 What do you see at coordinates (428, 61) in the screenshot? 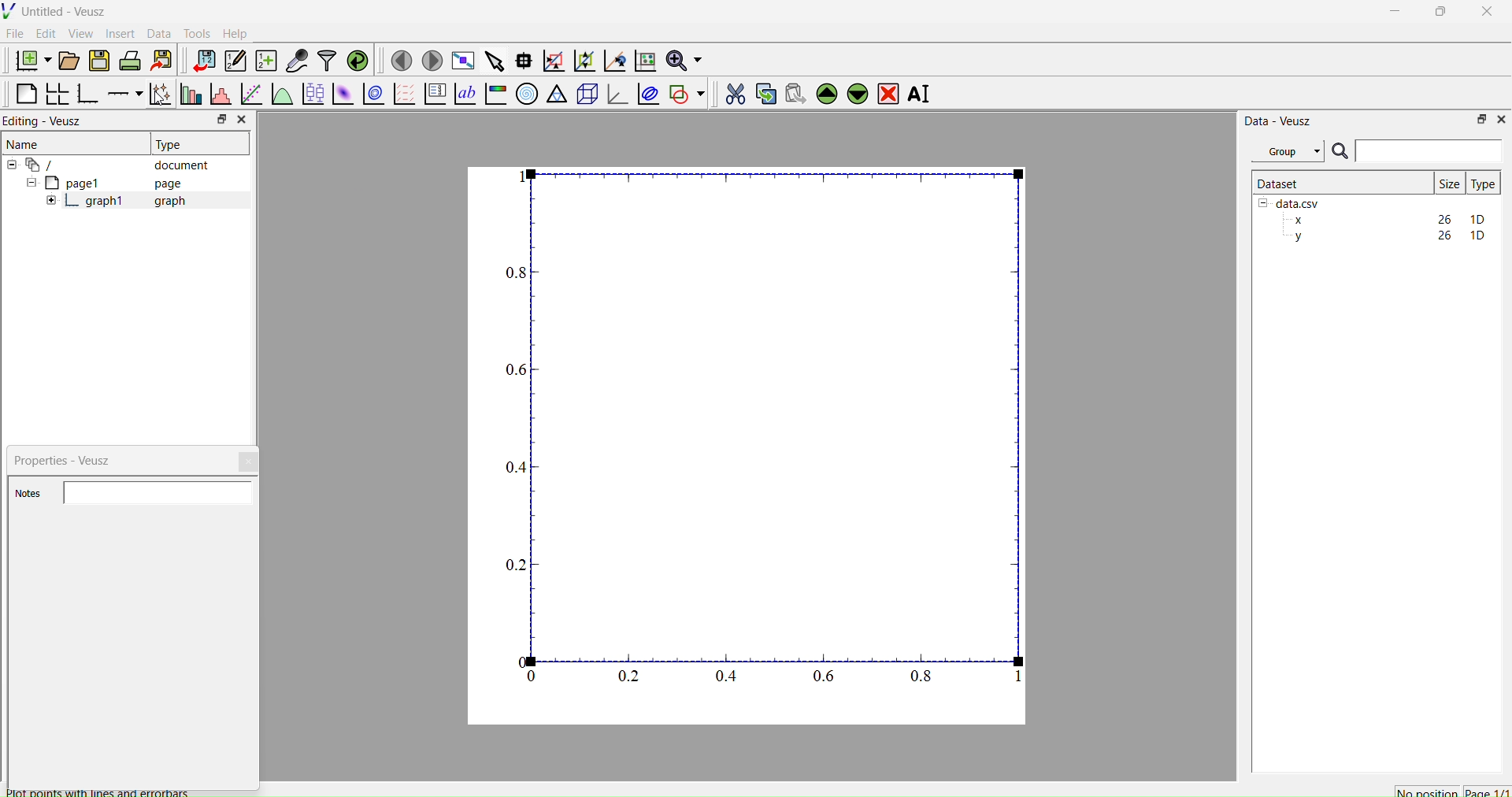
I see `Next page` at bounding box center [428, 61].